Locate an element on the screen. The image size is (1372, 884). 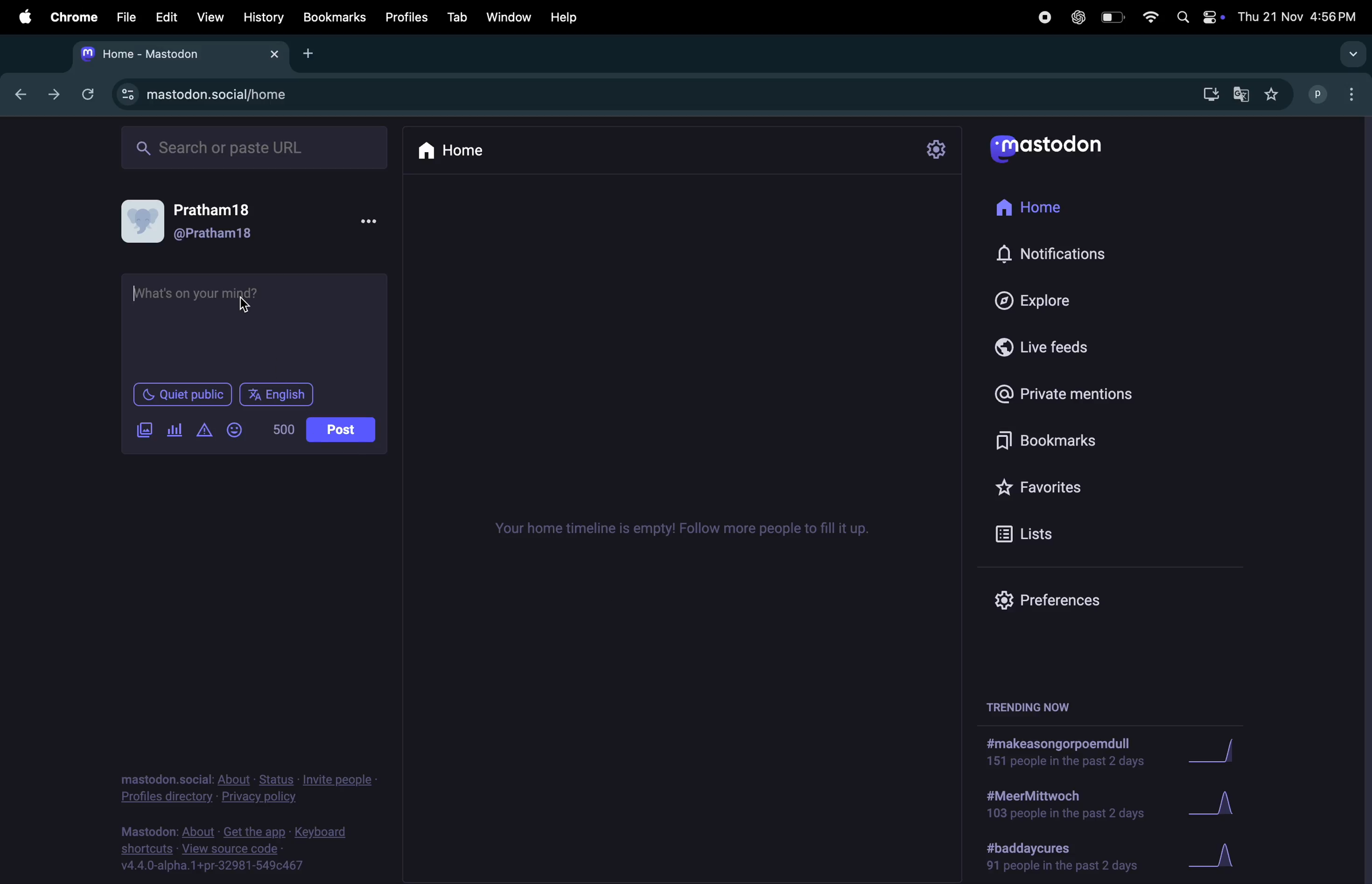
privacy statement is located at coordinates (248, 786).